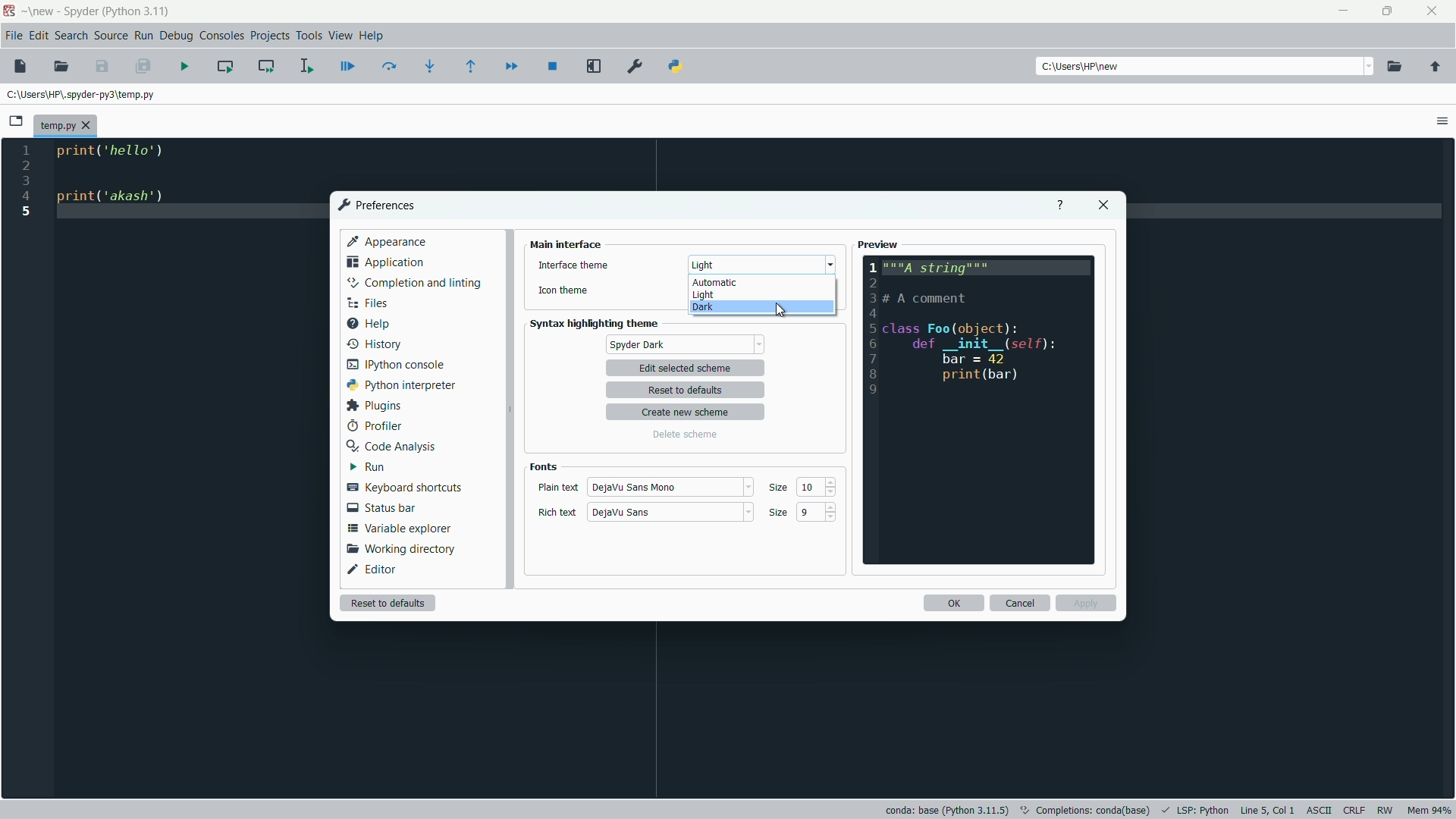 This screenshot has width=1456, height=819. What do you see at coordinates (143, 67) in the screenshot?
I see `save all files` at bounding box center [143, 67].